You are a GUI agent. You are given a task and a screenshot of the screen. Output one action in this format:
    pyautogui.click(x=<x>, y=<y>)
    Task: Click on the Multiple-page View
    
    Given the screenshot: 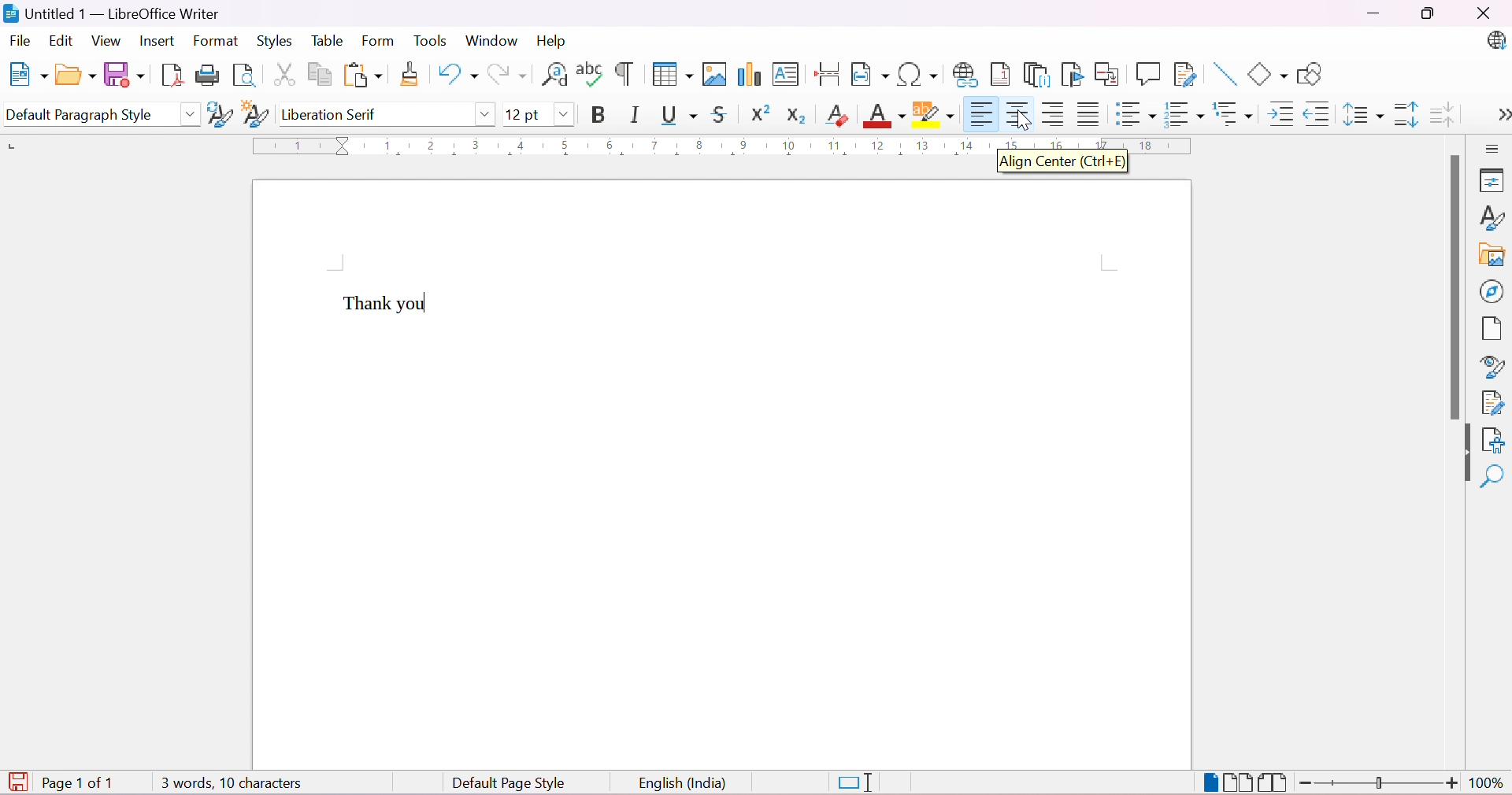 What is the action you would take?
    pyautogui.click(x=1240, y=782)
    